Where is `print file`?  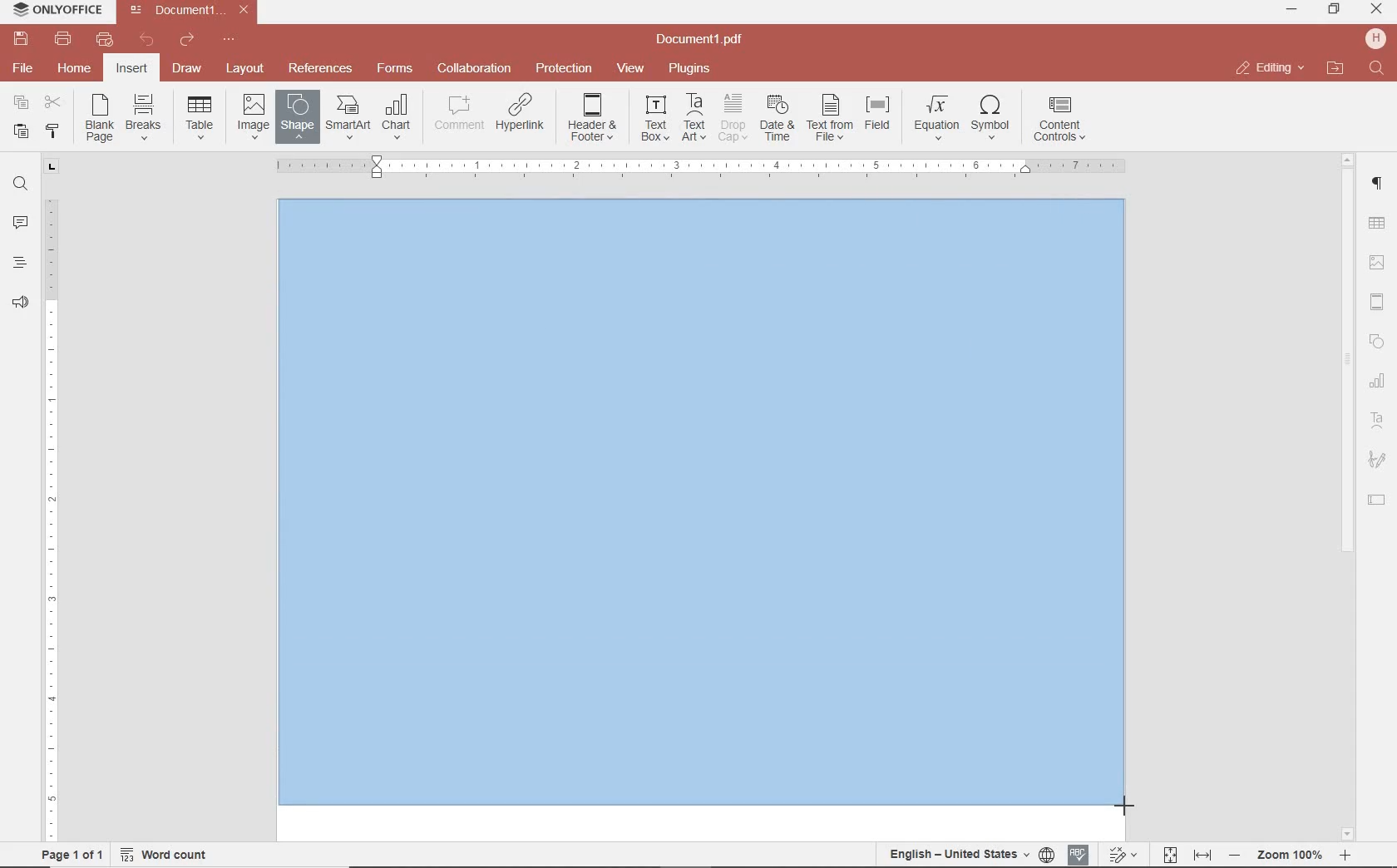 print file is located at coordinates (63, 39).